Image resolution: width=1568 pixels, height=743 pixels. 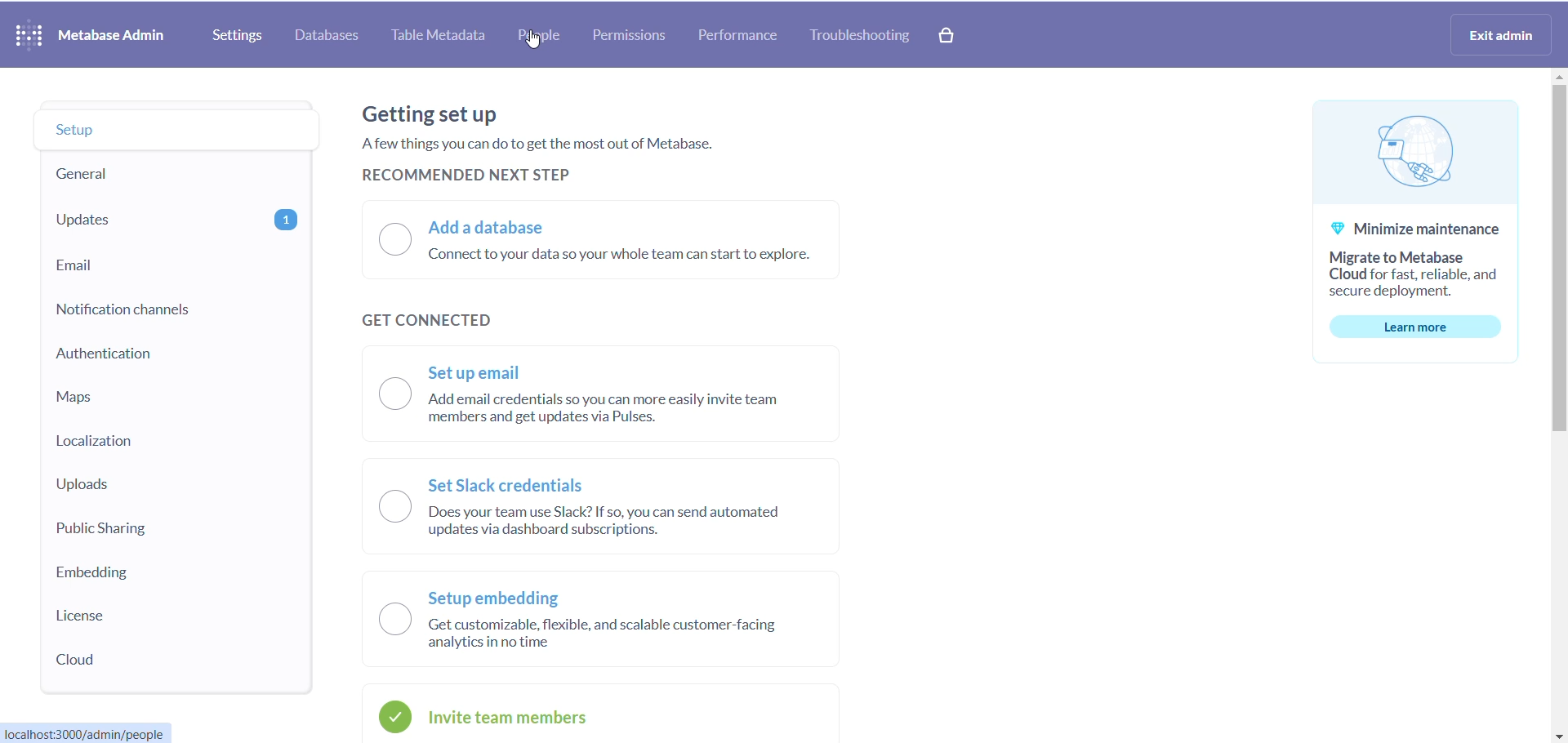 What do you see at coordinates (609, 258) in the screenshot?
I see `add a database radio button` at bounding box center [609, 258].